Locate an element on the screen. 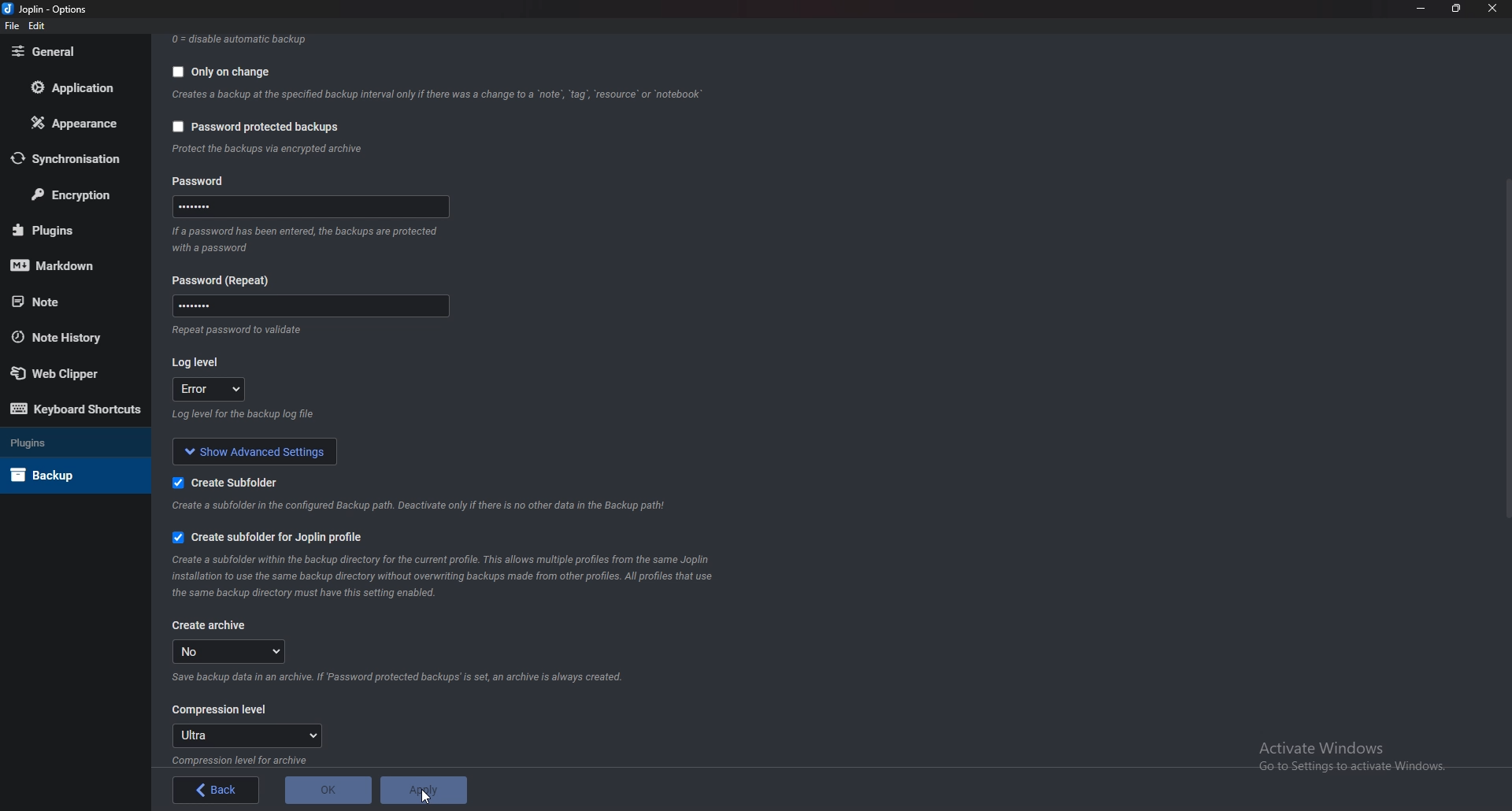 Image resolution: width=1512 pixels, height=811 pixels. Encryption is located at coordinates (73, 194).